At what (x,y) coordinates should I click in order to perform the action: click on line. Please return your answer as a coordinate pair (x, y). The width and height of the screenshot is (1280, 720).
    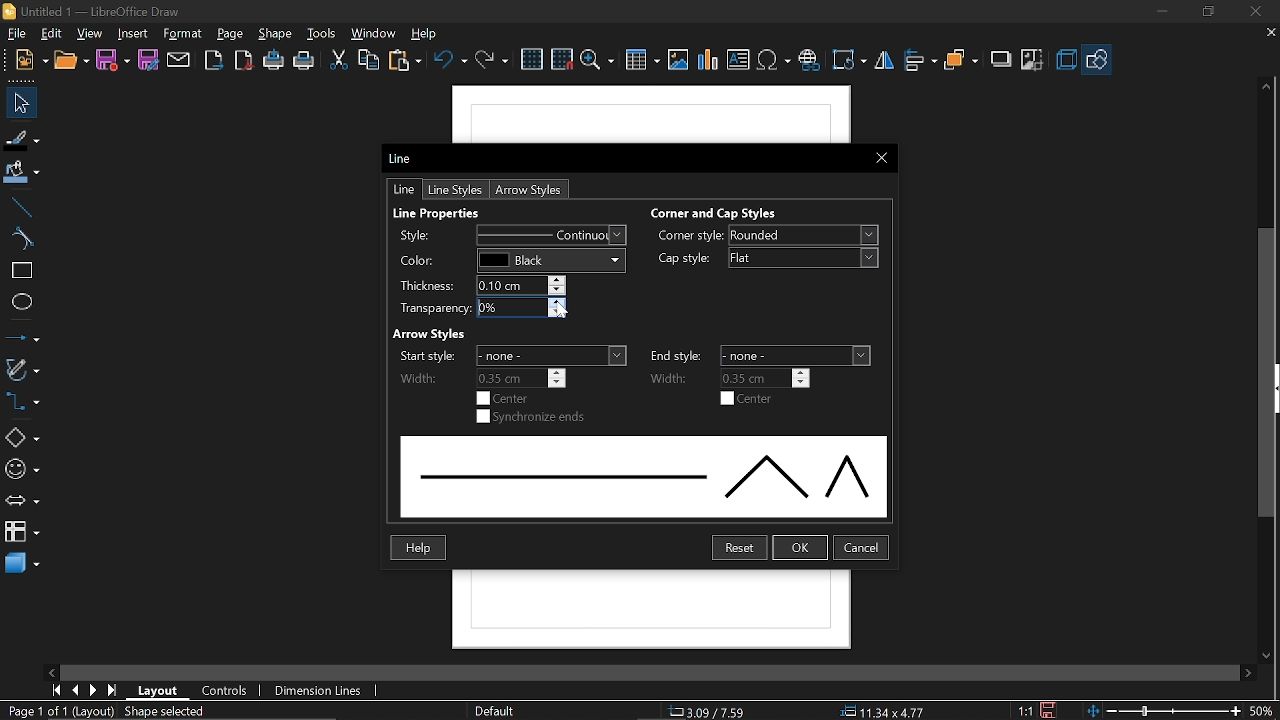
    Looking at the image, I should click on (20, 208).